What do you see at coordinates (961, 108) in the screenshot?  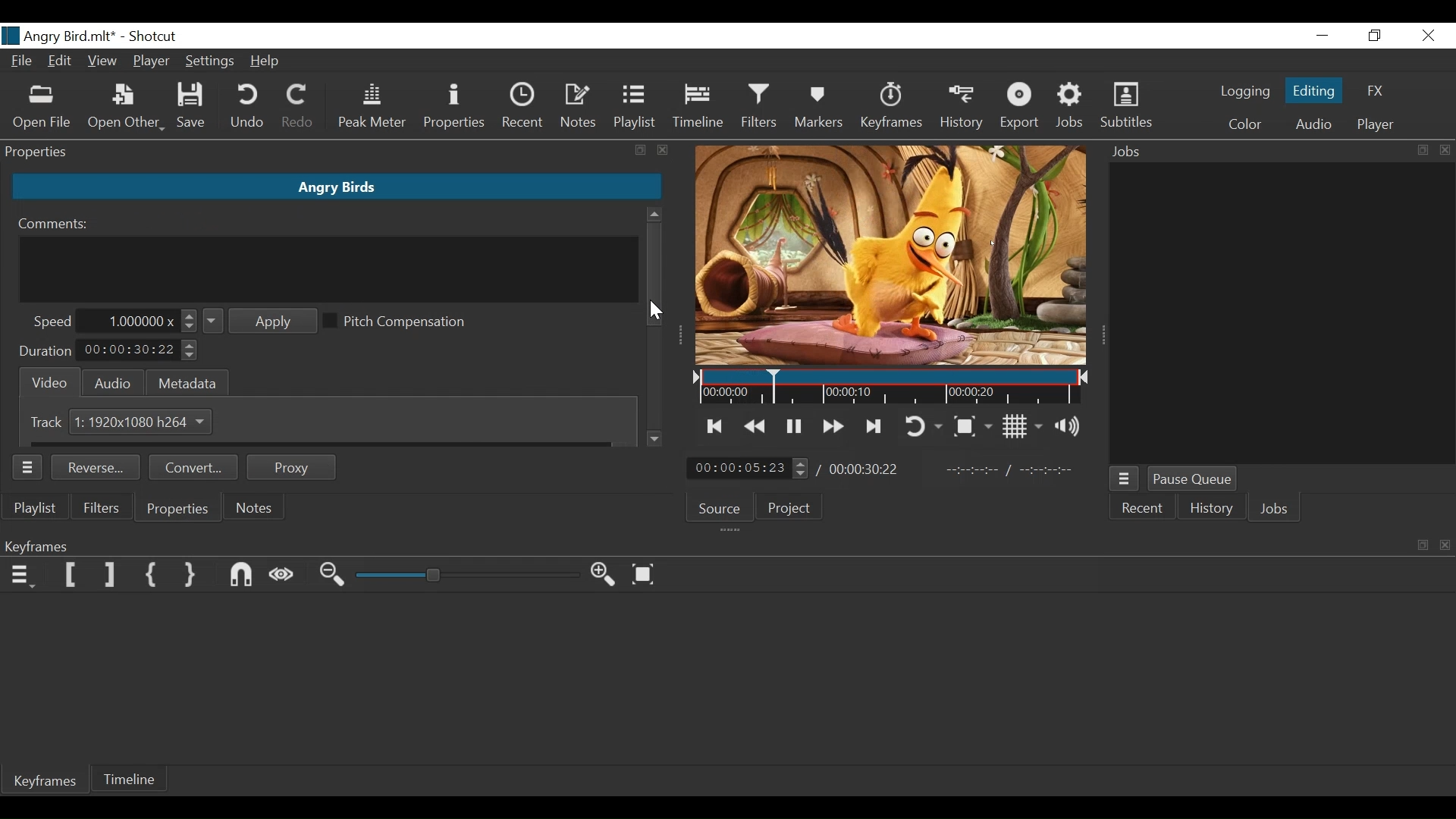 I see `History` at bounding box center [961, 108].